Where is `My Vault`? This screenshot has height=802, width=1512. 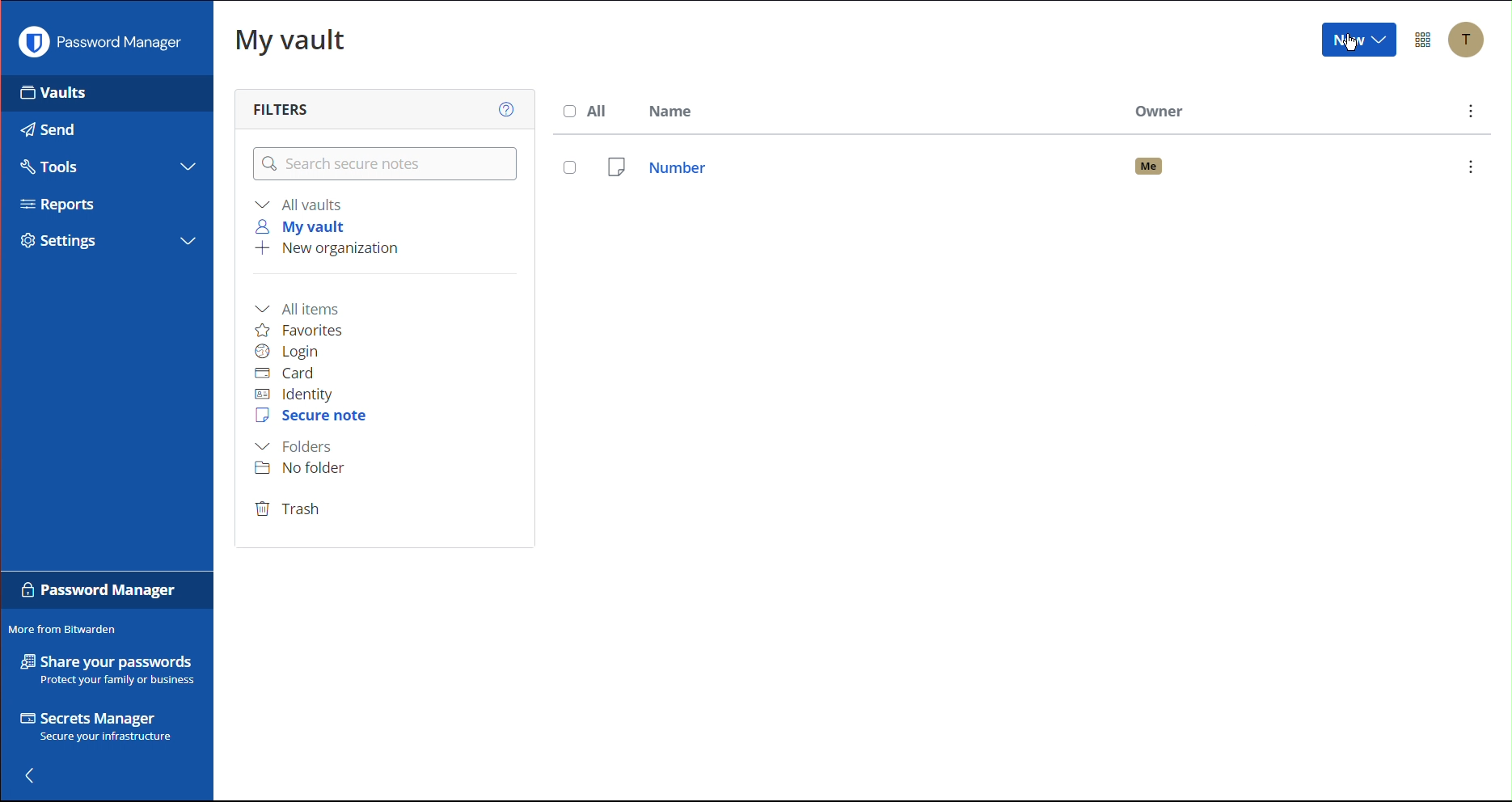 My Vault is located at coordinates (290, 39).